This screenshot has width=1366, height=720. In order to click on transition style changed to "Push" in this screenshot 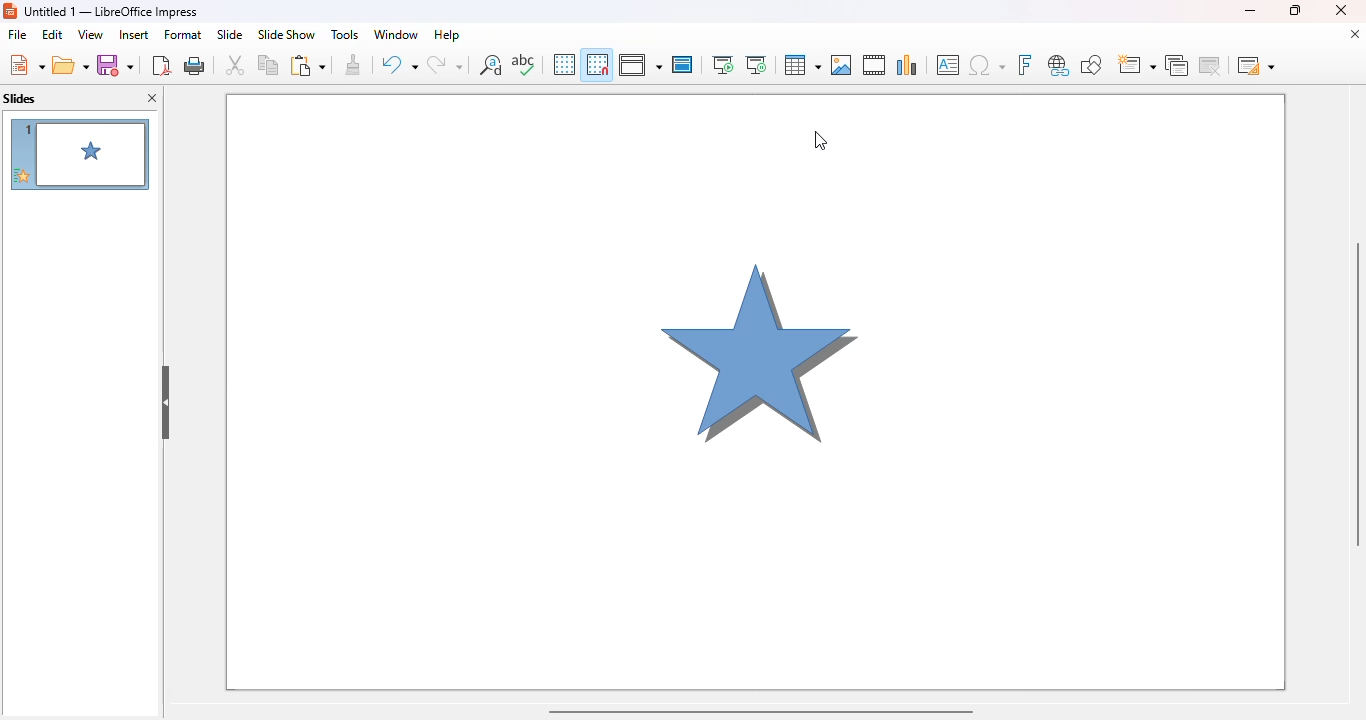, I will do `click(756, 391)`.